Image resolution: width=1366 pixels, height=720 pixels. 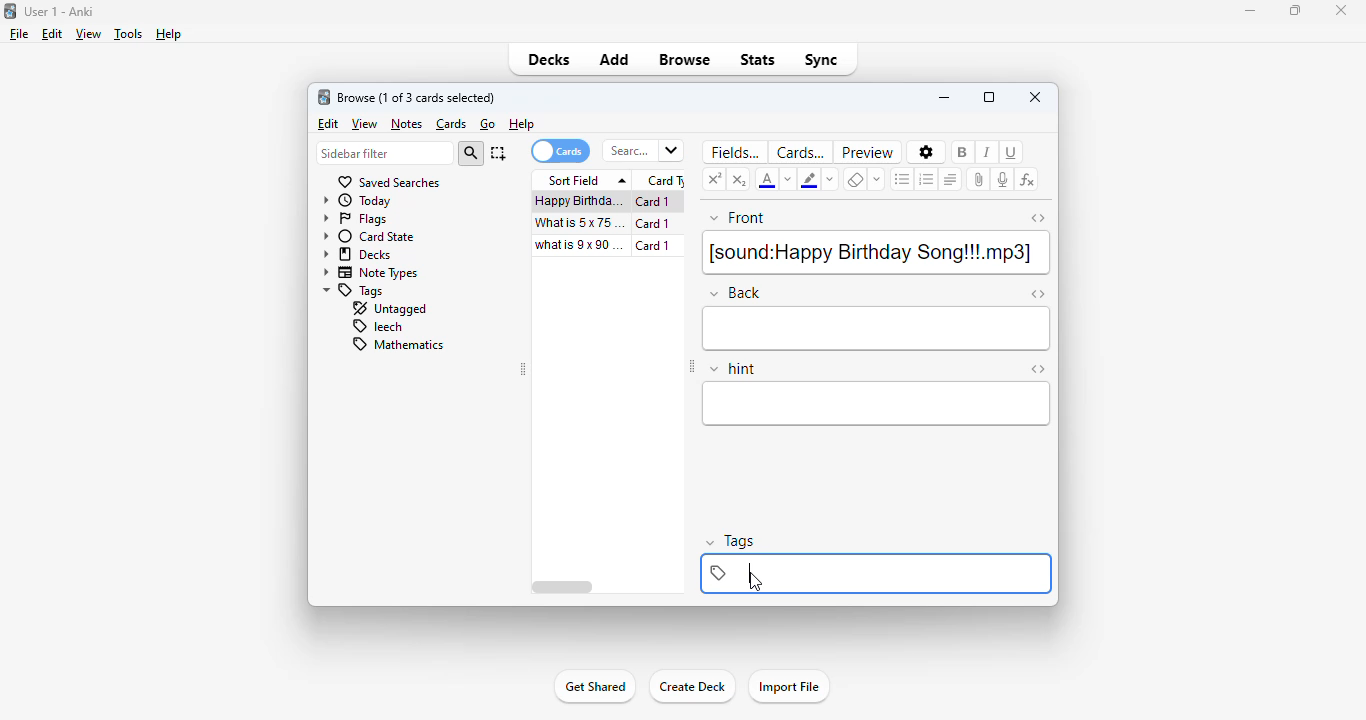 What do you see at coordinates (653, 224) in the screenshot?
I see `card 1` at bounding box center [653, 224].